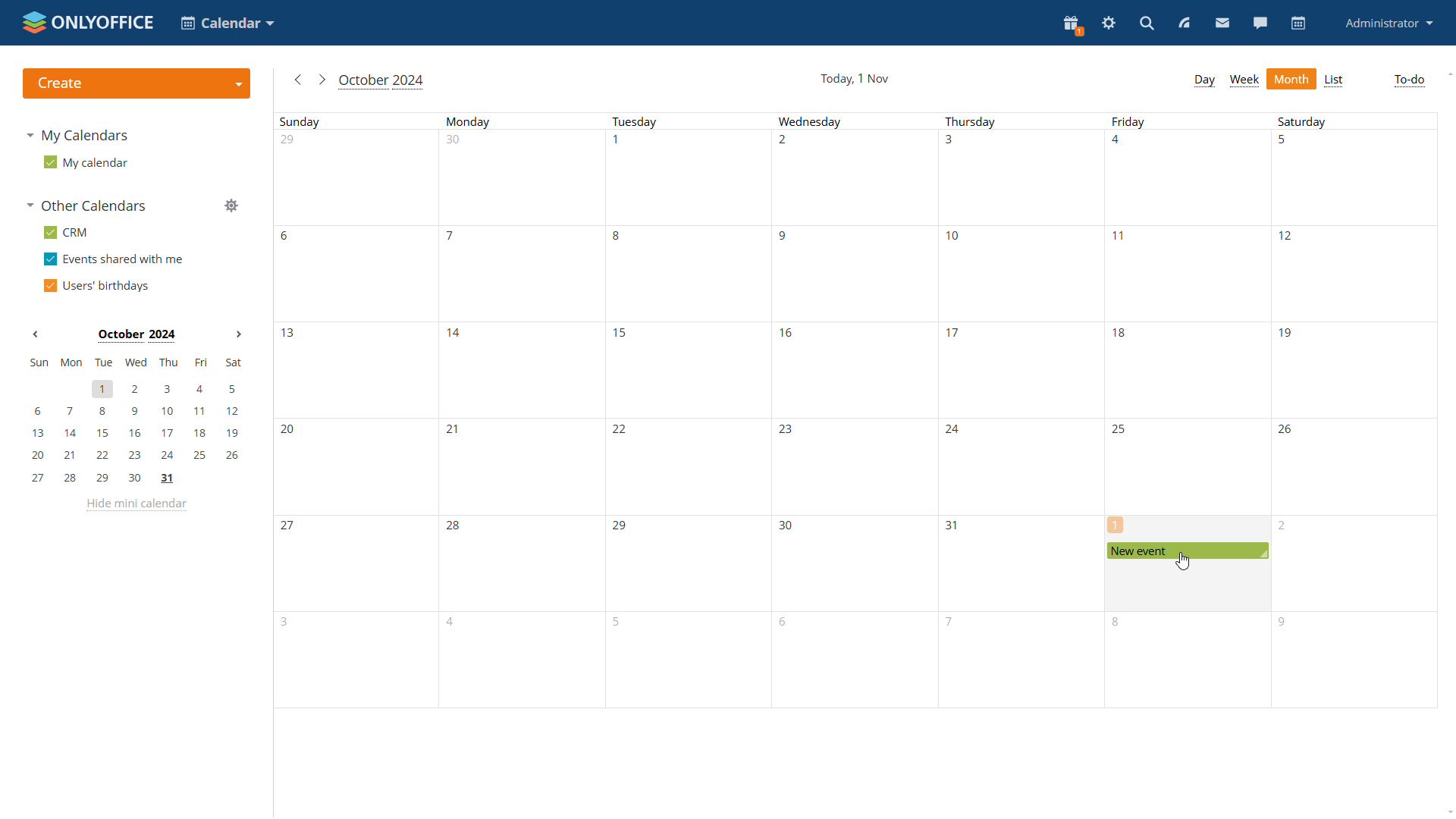 This screenshot has width=1456, height=819. Describe the element at coordinates (36, 336) in the screenshot. I see `Previous month` at that location.